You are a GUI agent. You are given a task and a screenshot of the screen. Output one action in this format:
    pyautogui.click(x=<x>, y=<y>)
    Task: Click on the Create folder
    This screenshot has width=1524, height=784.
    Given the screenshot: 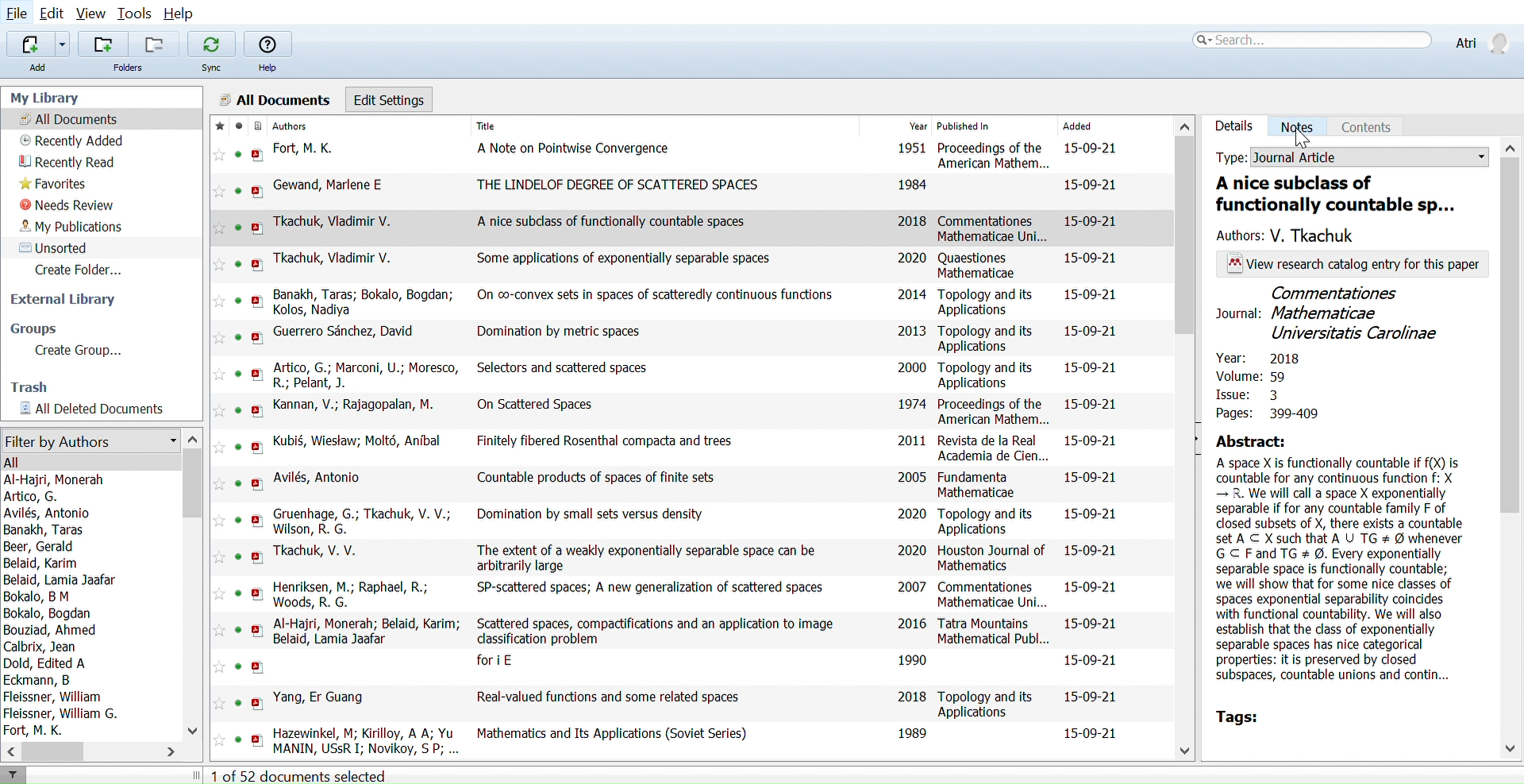 What is the action you would take?
    pyautogui.click(x=85, y=270)
    